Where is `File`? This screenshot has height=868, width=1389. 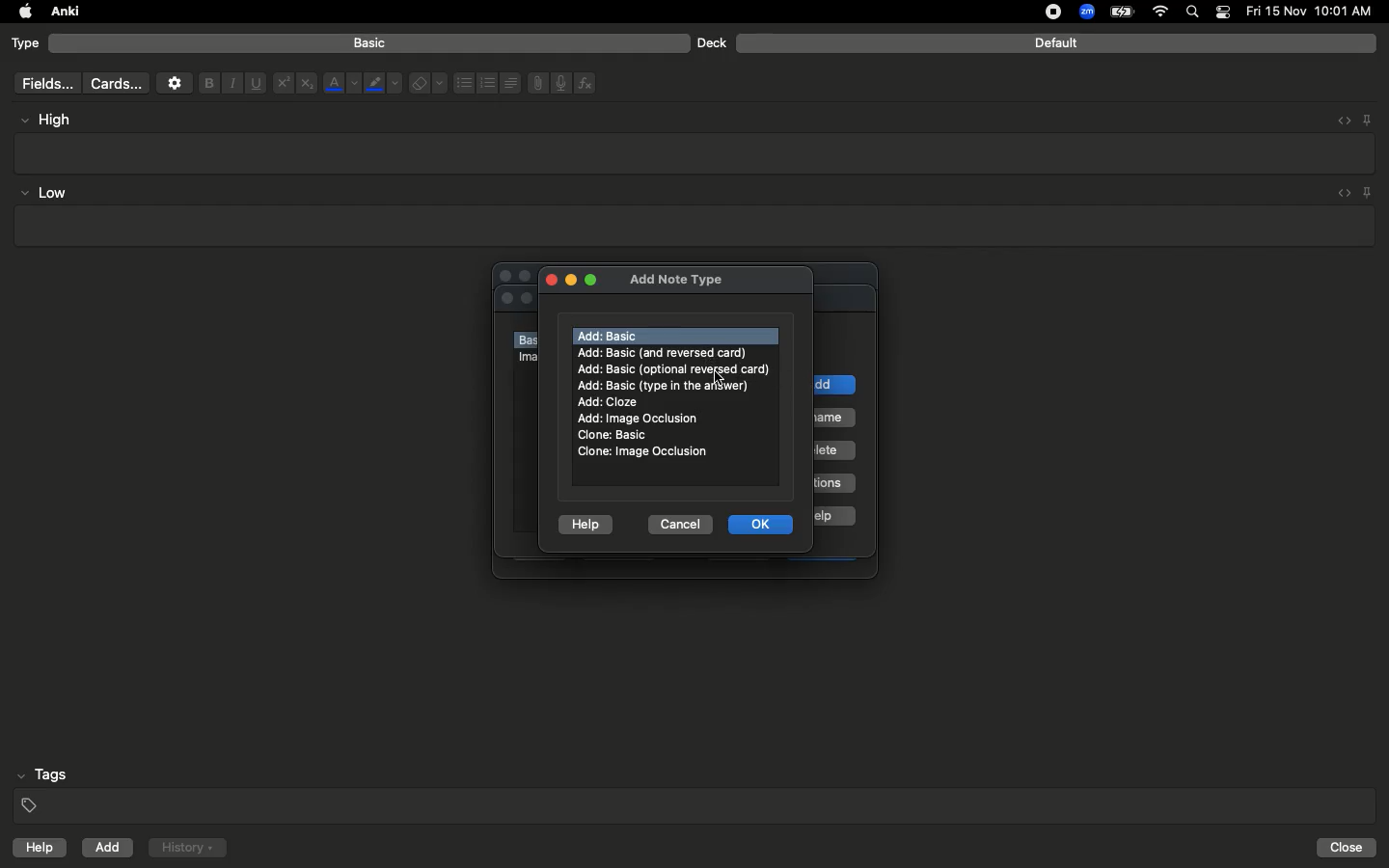
File is located at coordinates (534, 83).